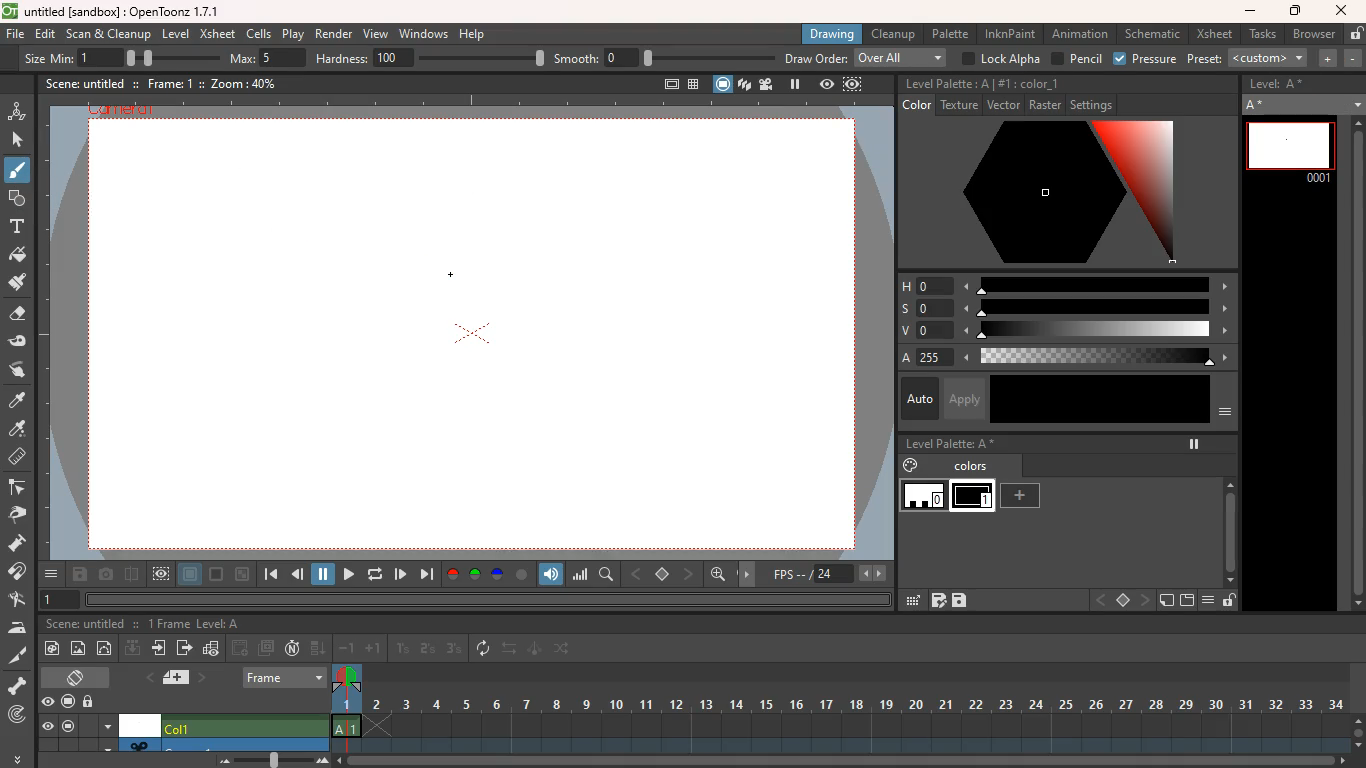 This screenshot has height=768, width=1366. Describe the element at coordinates (107, 650) in the screenshot. I see `circle` at that location.